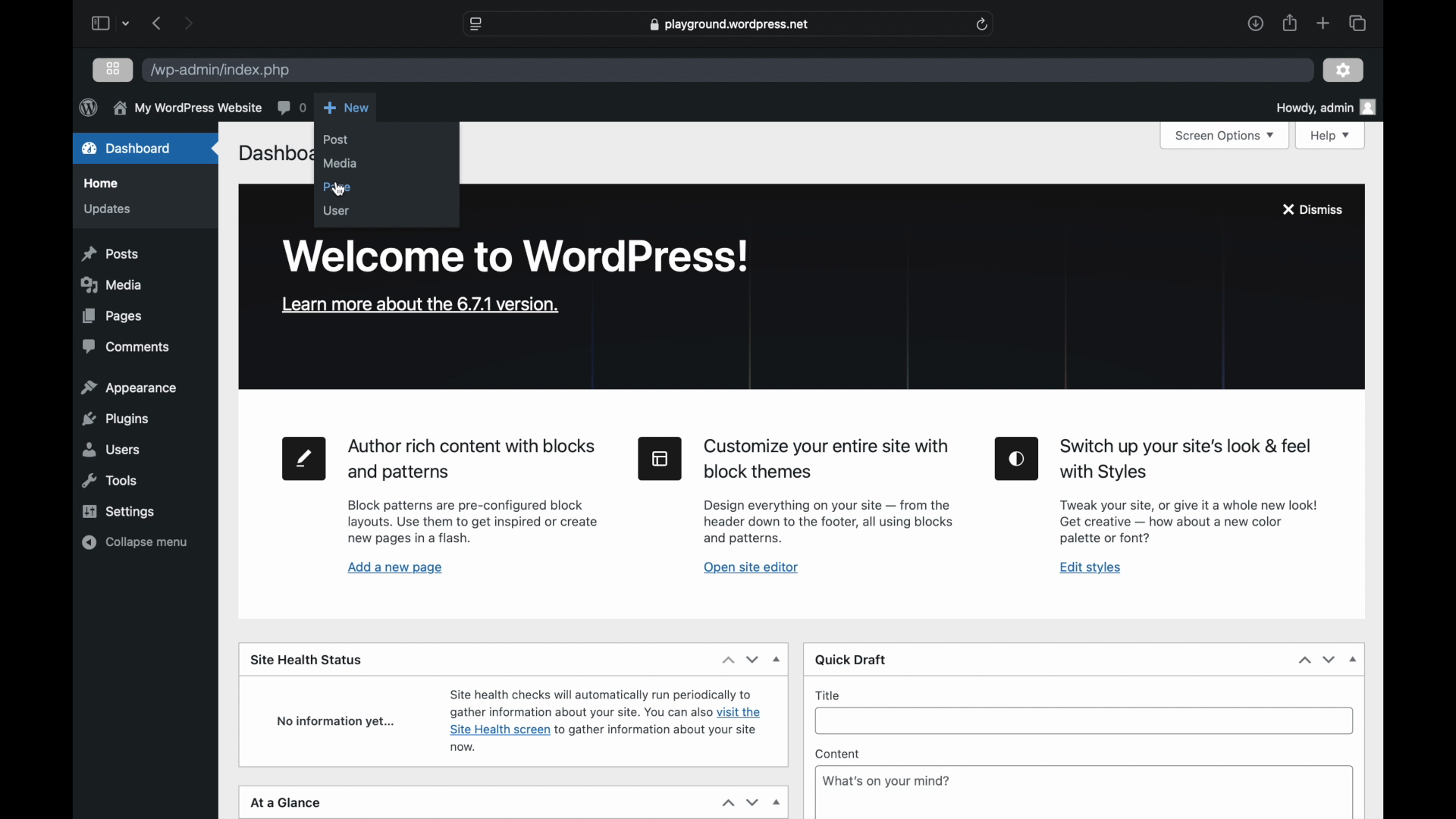  Describe the element at coordinates (112, 253) in the screenshot. I see `posts` at that location.